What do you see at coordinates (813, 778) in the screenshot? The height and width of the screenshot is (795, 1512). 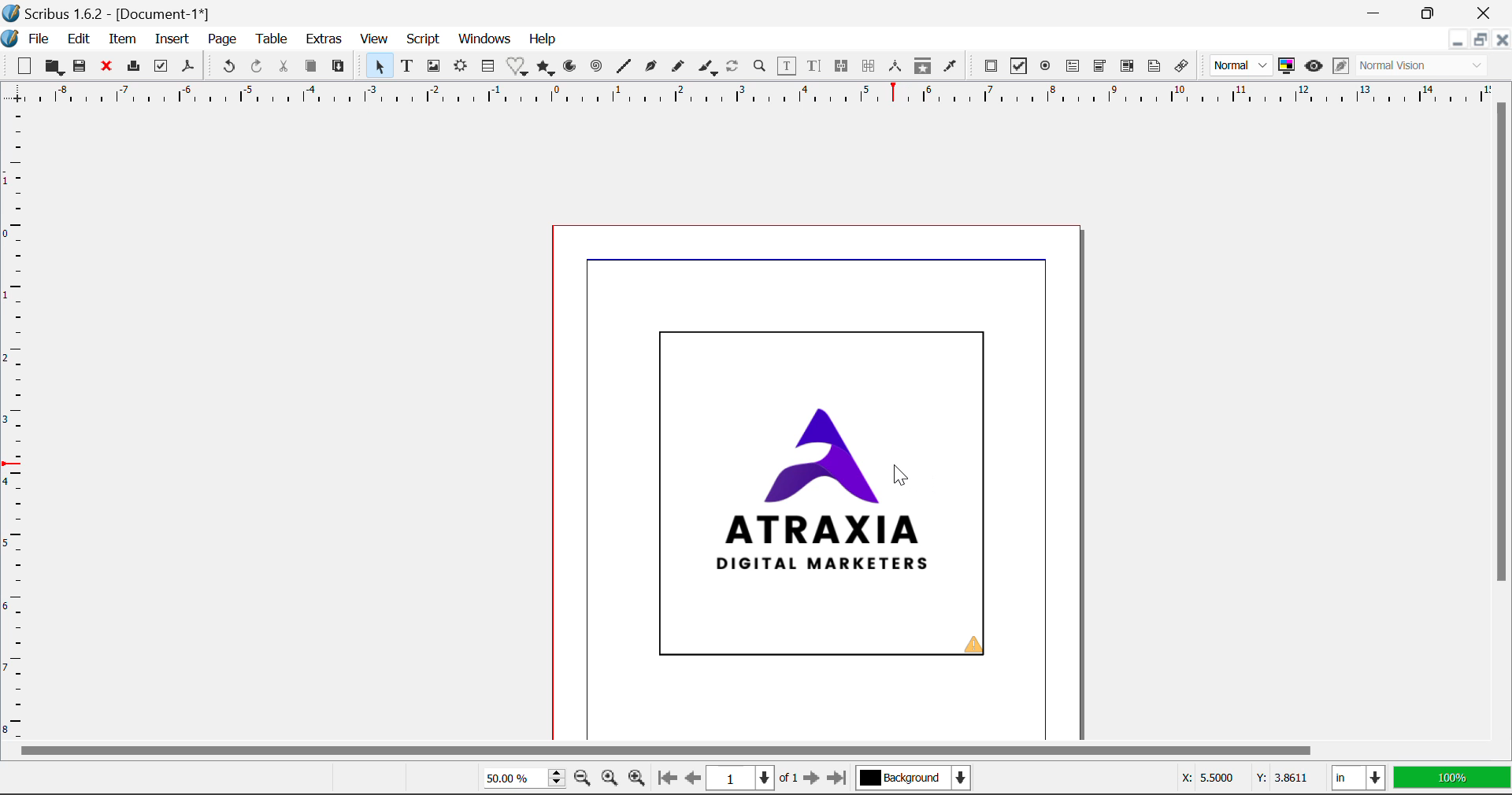 I see `Next page` at bounding box center [813, 778].